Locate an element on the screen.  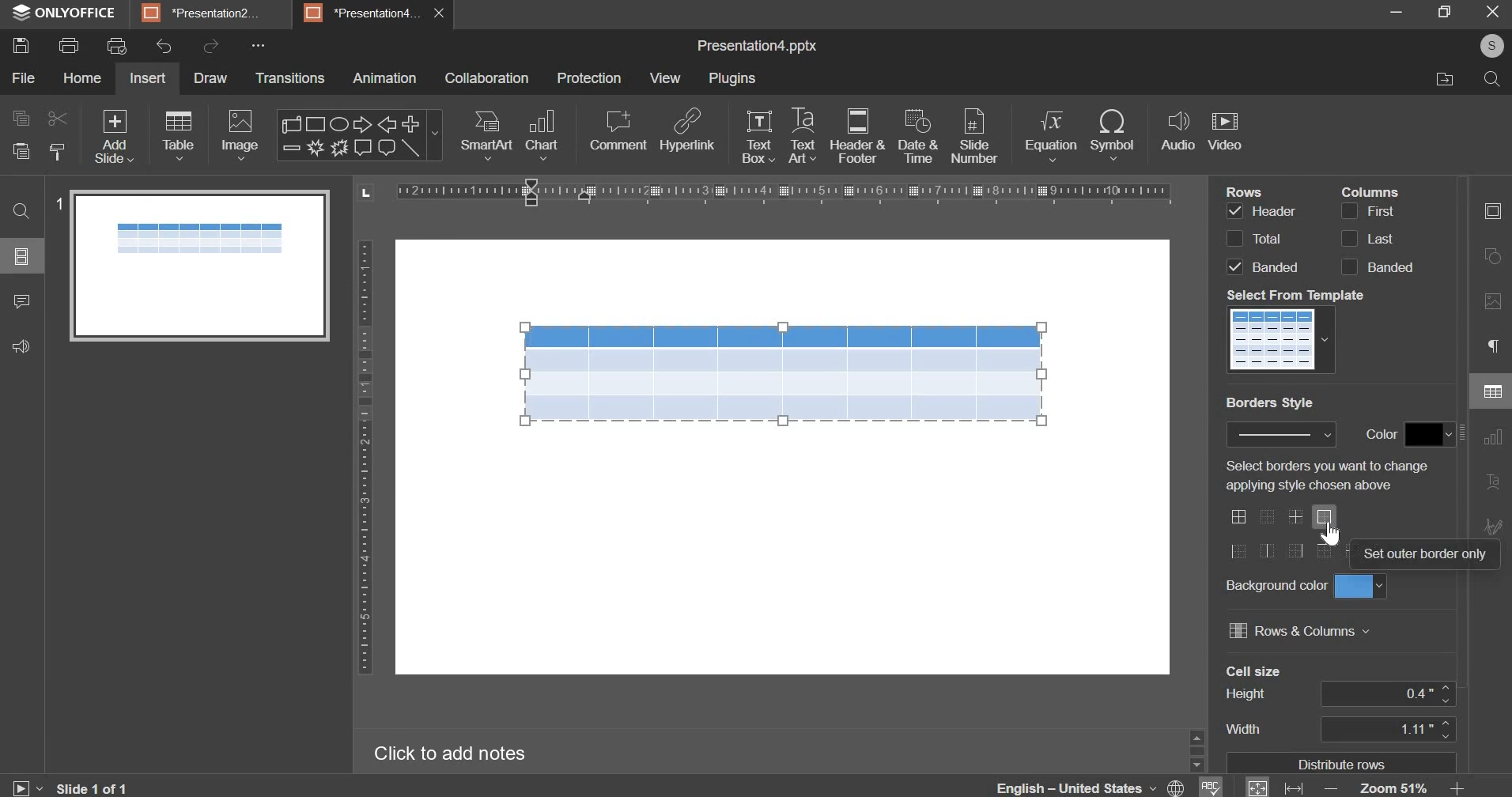
close is located at coordinates (440, 15).